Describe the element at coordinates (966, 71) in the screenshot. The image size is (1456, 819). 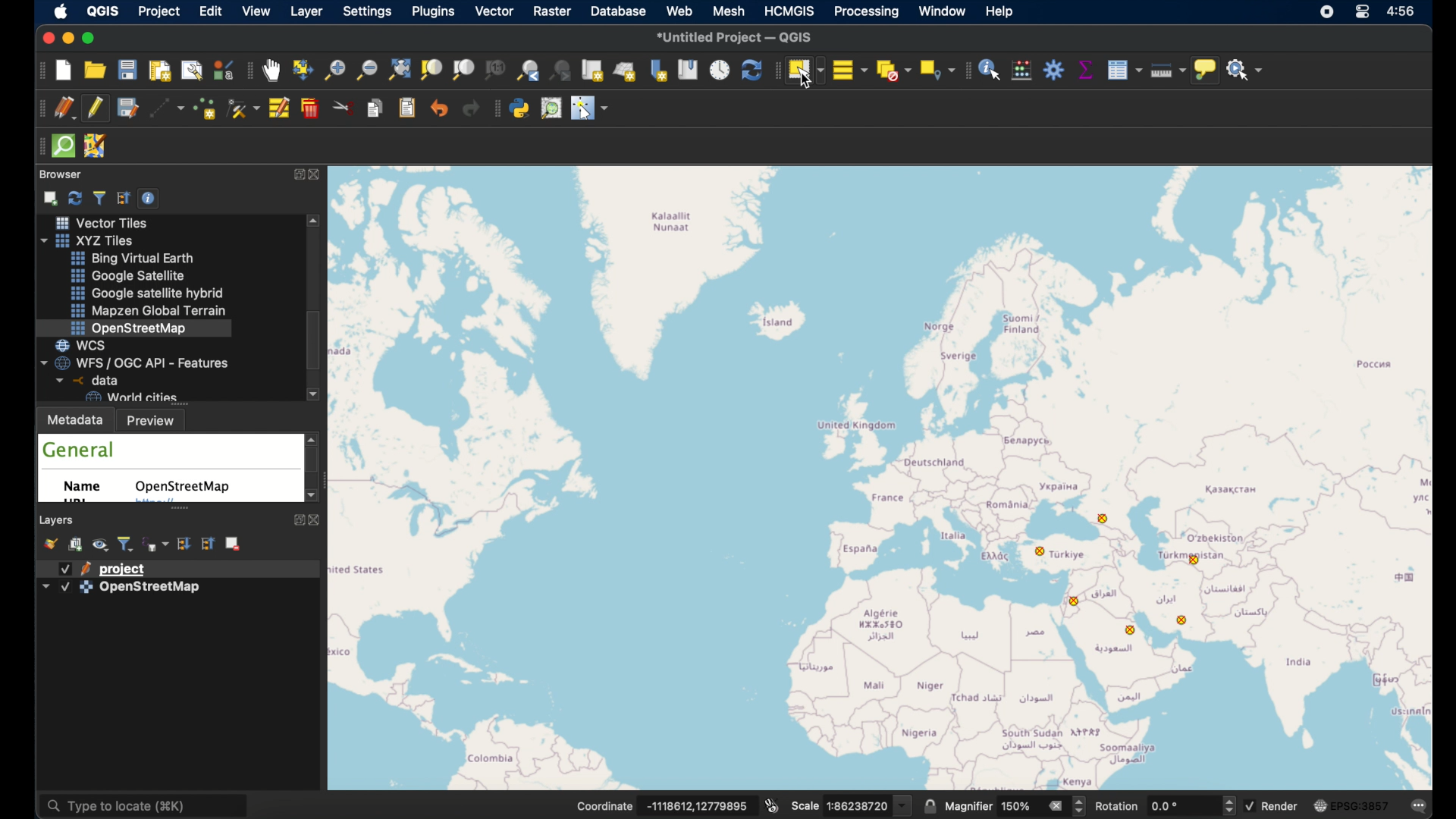
I see `attributes toolbar` at that location.